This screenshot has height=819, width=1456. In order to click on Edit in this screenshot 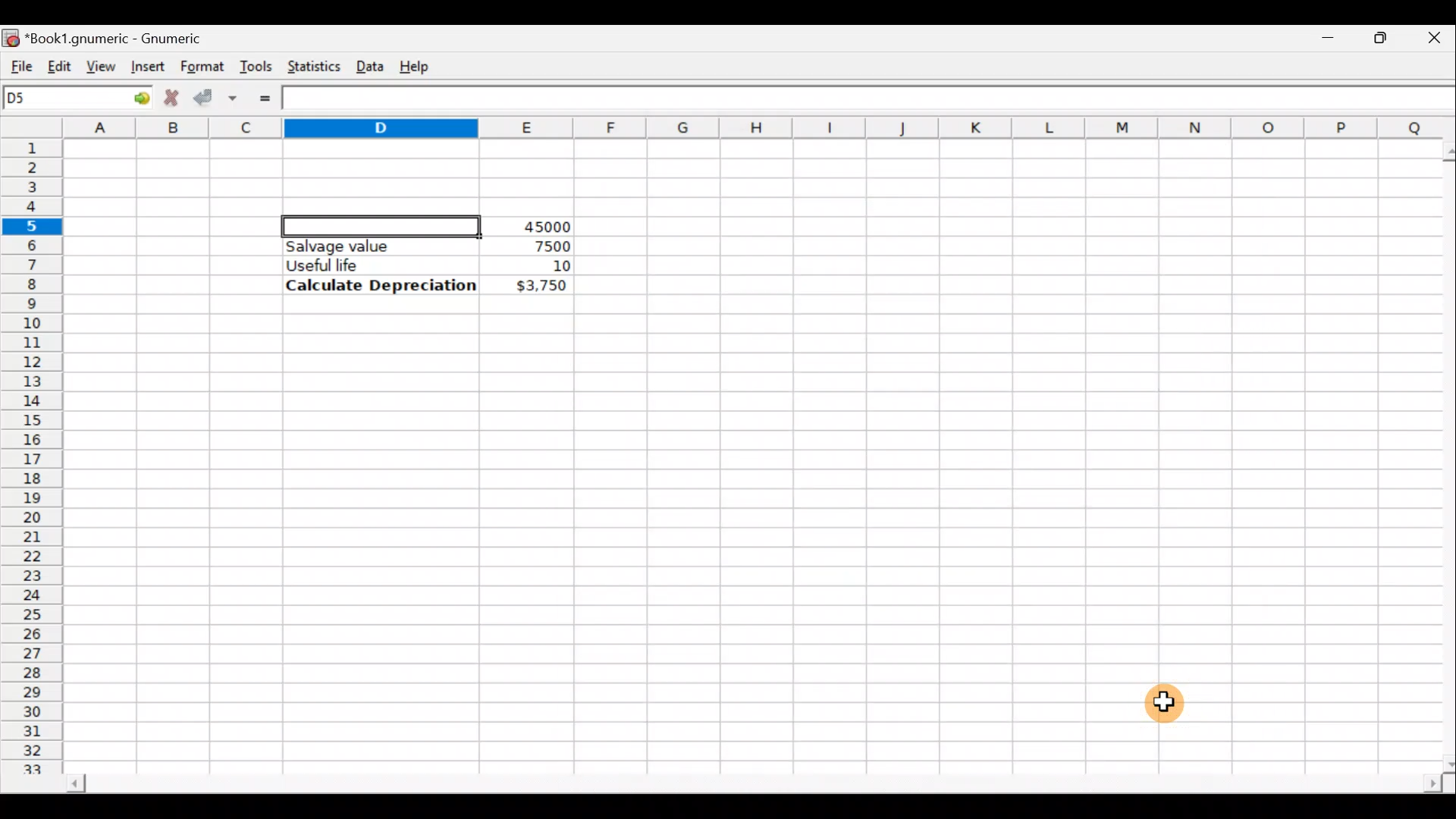, I will do `click(59, 63)`.